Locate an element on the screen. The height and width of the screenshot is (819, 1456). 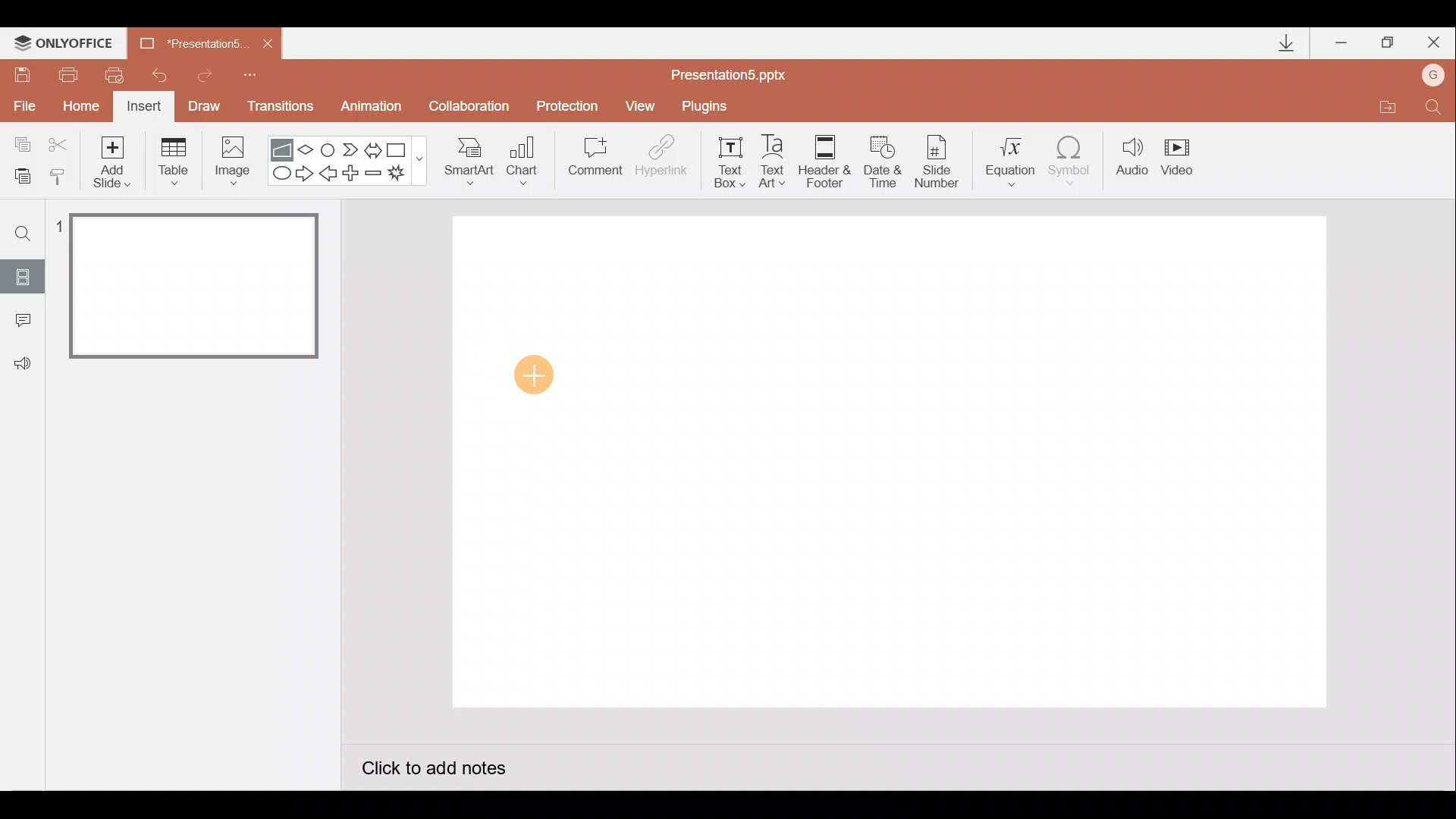
Collaboration is located at coordinates (472, 108).